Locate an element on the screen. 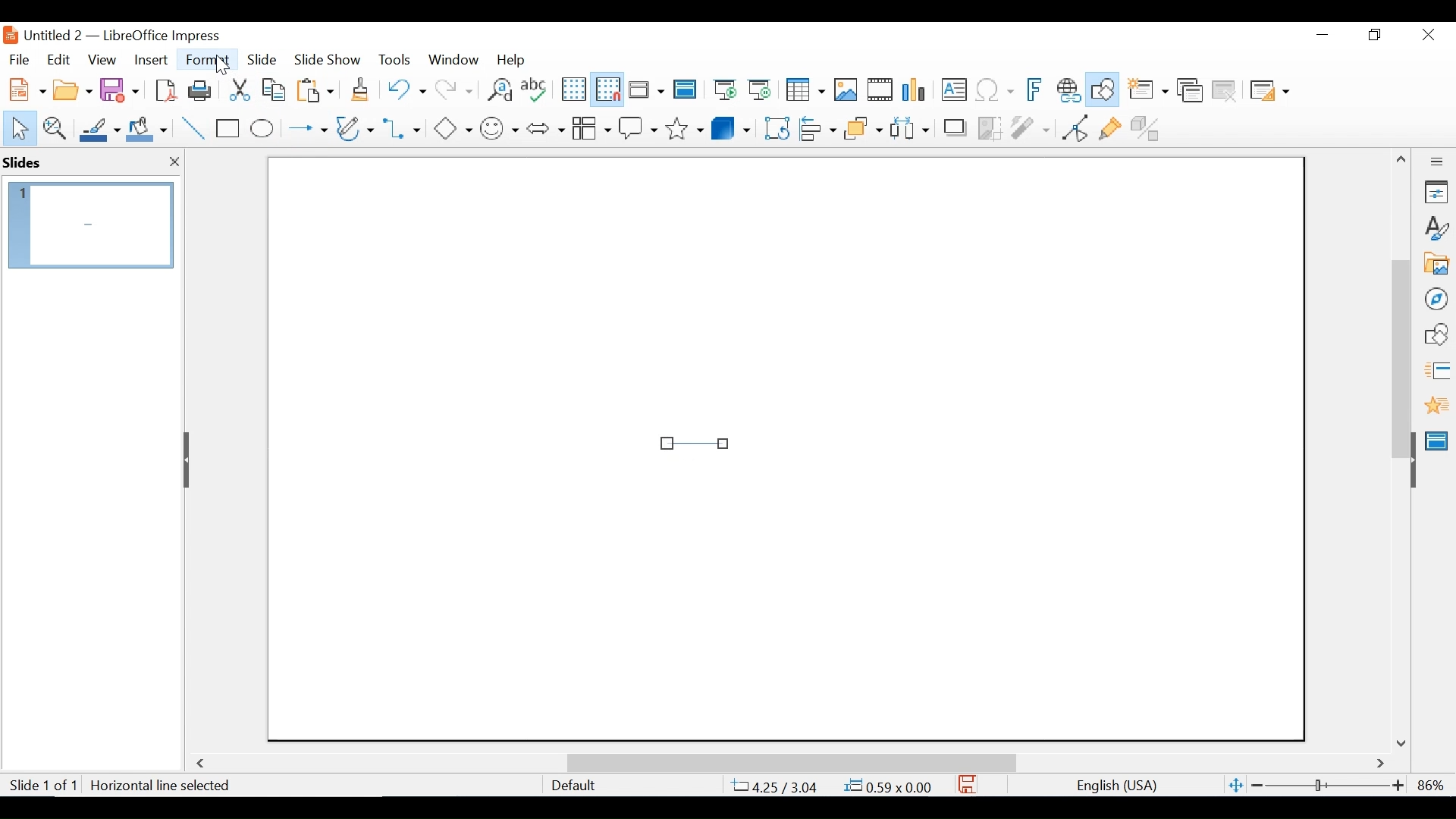  Help is located at coordinates (515, 59).